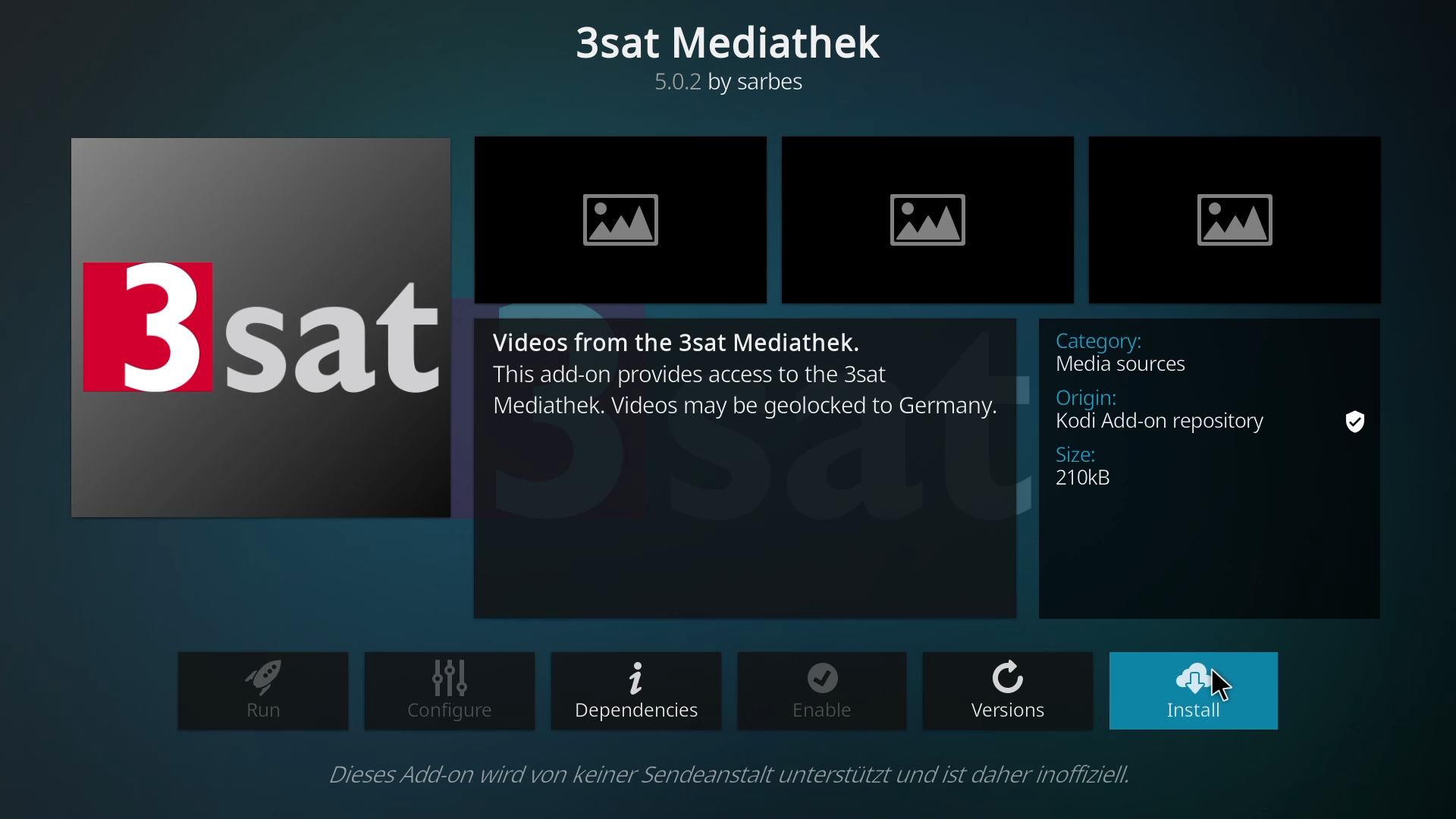 The width and height of the screenshot is (1456, 819). Describe the element at coordinates (1012, 692) in the screenshot. I see `versions` at that location.